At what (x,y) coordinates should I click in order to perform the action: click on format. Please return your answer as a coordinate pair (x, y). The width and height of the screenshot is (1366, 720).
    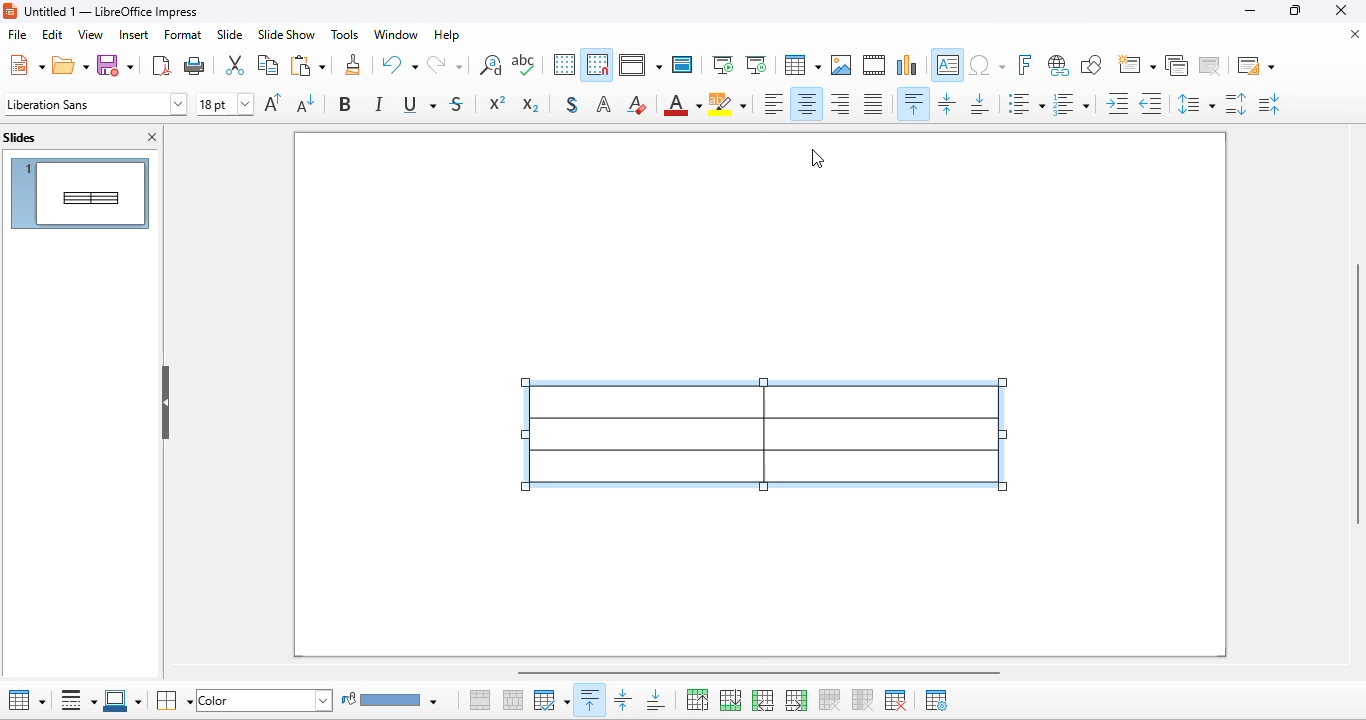
    Looking at the image, I should click on (183, 34).